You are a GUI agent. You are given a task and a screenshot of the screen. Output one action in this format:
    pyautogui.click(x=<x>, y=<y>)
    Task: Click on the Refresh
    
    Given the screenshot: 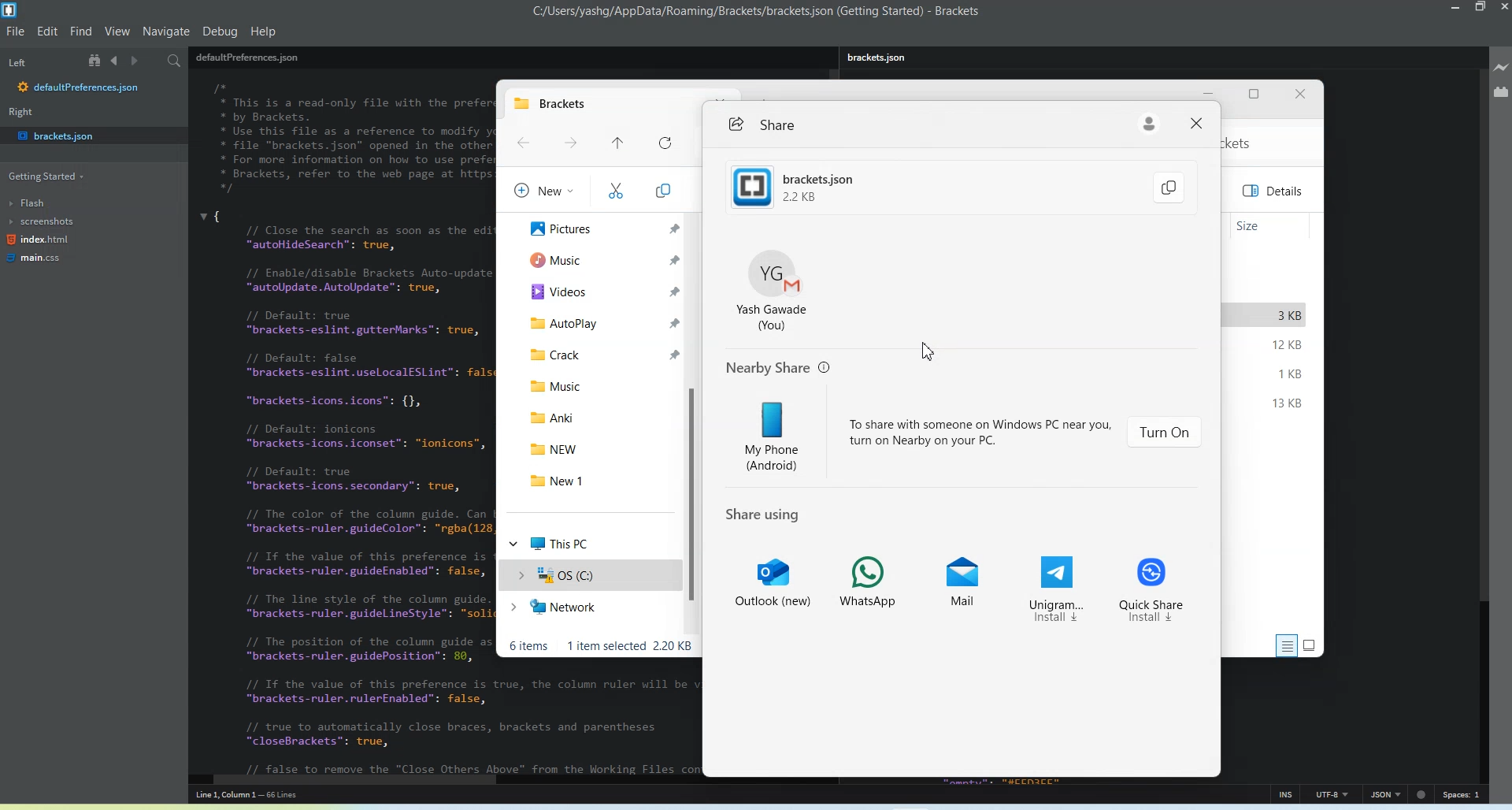 What is the action you would take?
    pyautogui.click(x=662, y=143)
    